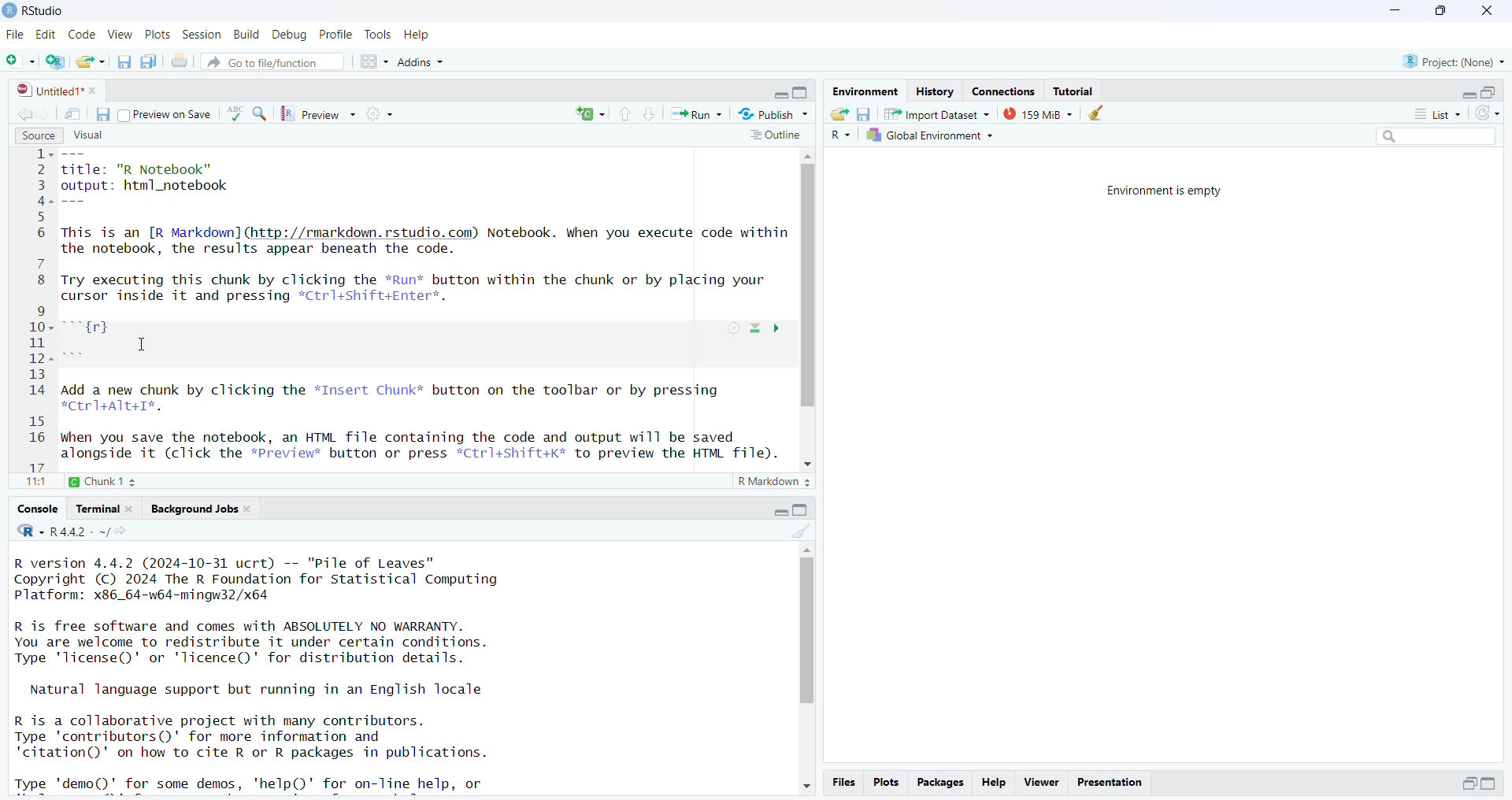 The height and width of the screenshot is (800, 1512). What do you see at coordinates (802, 94) in the screenshot?
I see `collapse` at bounding box center [802, 94].